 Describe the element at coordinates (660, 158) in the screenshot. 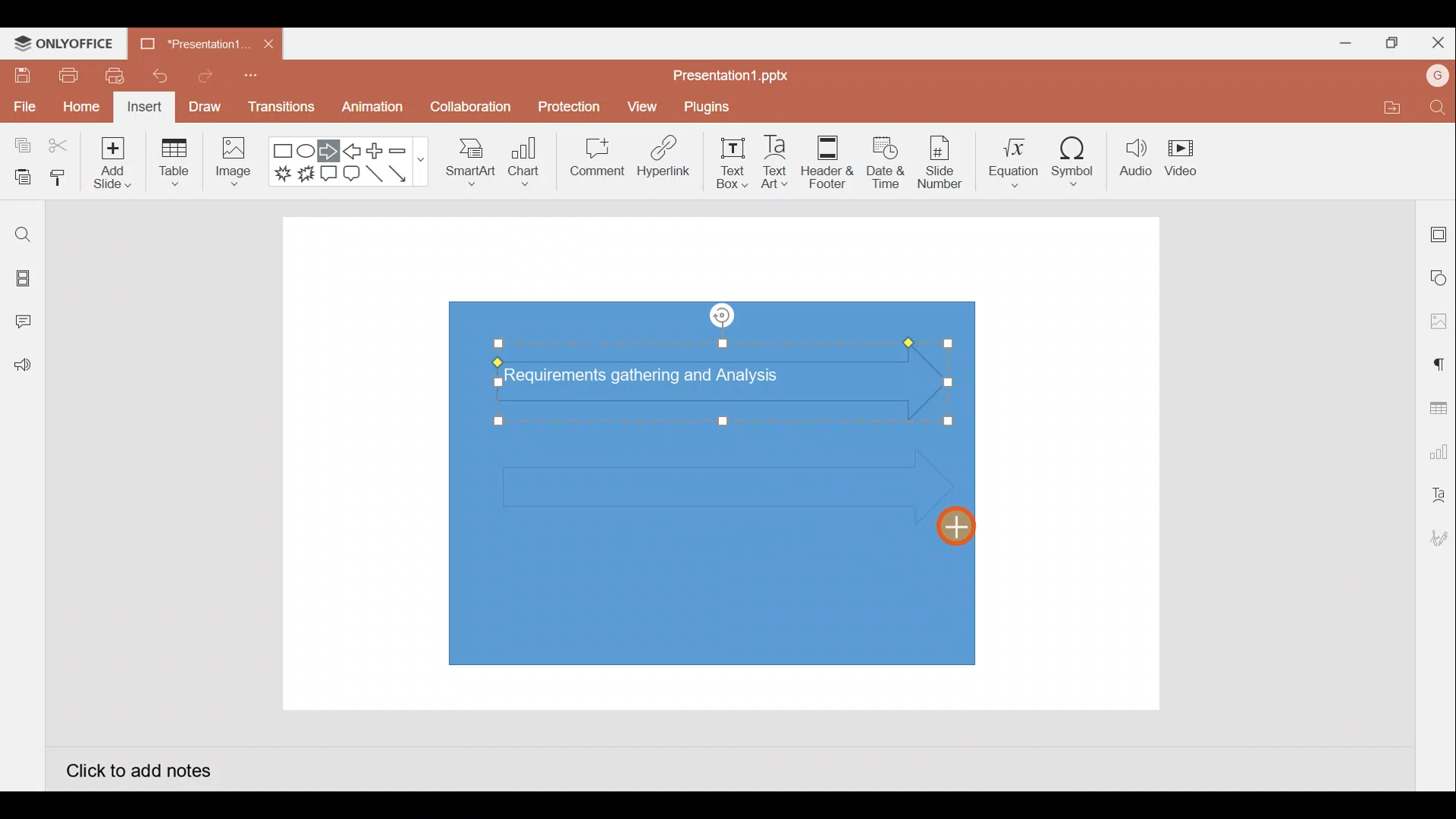

I see `Hyperlink` at that location.